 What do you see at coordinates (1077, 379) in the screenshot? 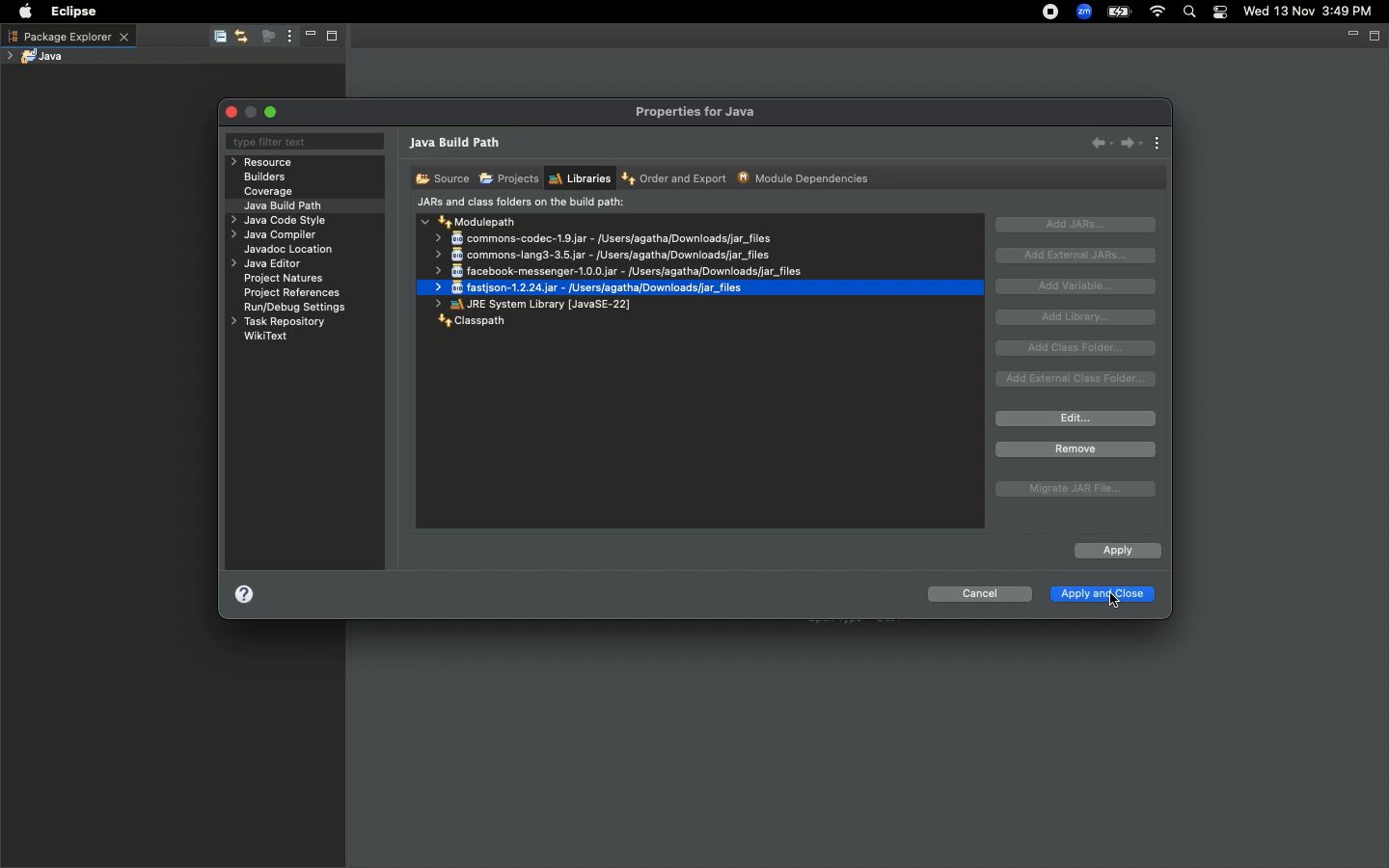
I see `Add external class folder` at bounding box center [1077, 379].